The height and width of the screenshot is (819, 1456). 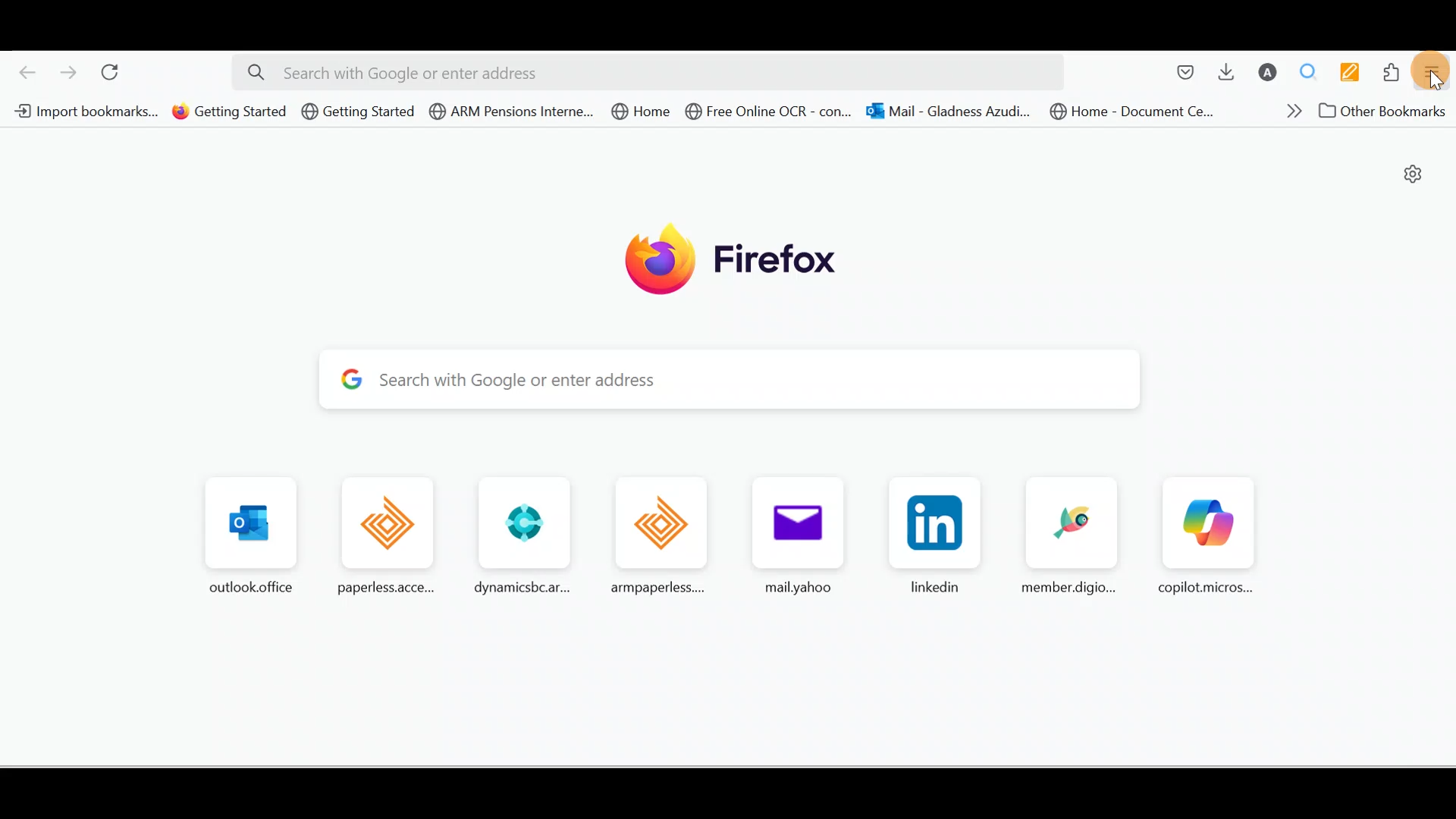 I want to click on Bookmark 7, so click(x=952, y=114).